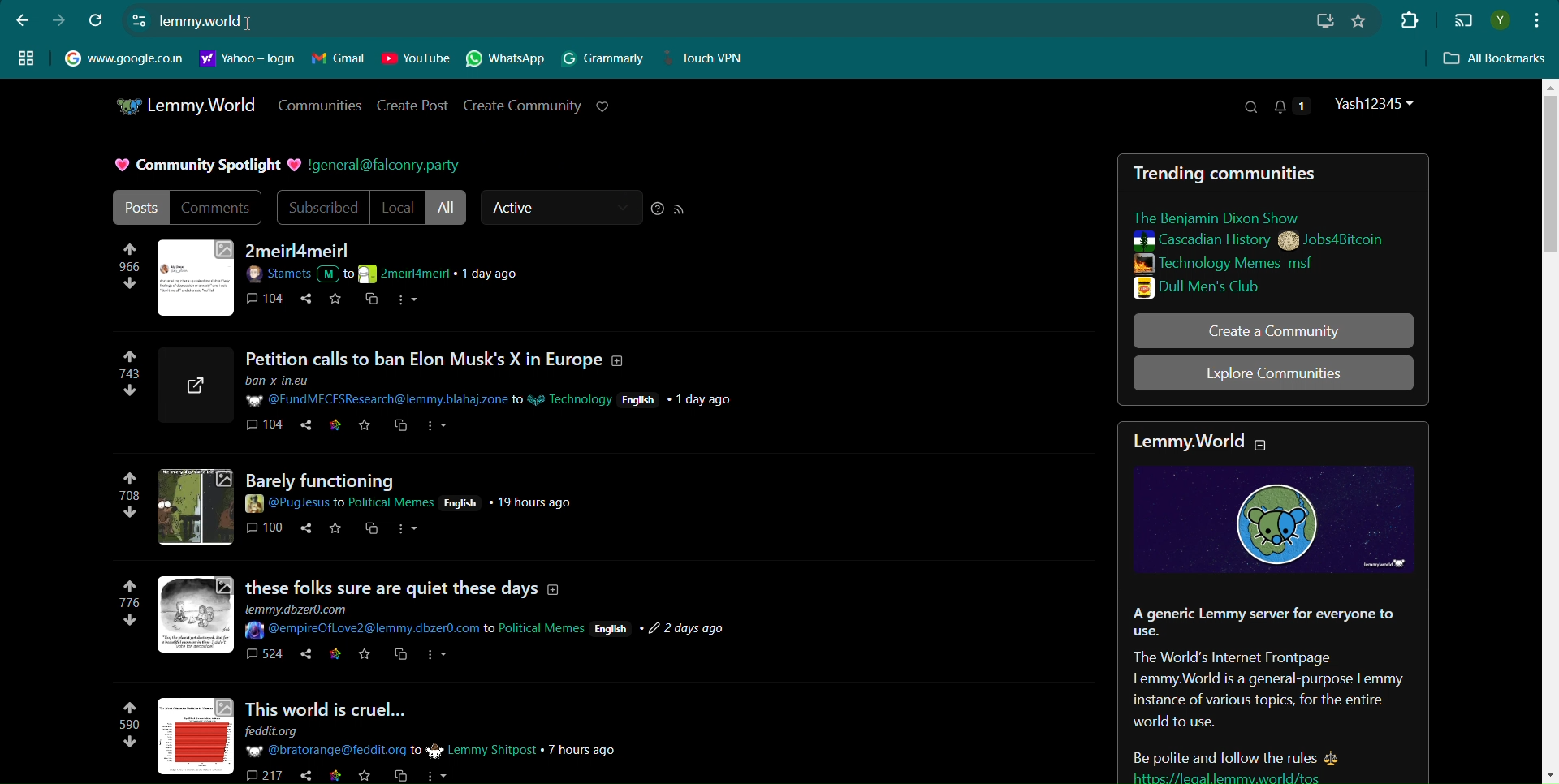 The width and height of the screenshot is (1559, 784). What do you see at coordinates (1257, 241) in the screenshot?
I see ` Cascadian History Jobs4Bitcoin` at bounding box center [1257, 241].